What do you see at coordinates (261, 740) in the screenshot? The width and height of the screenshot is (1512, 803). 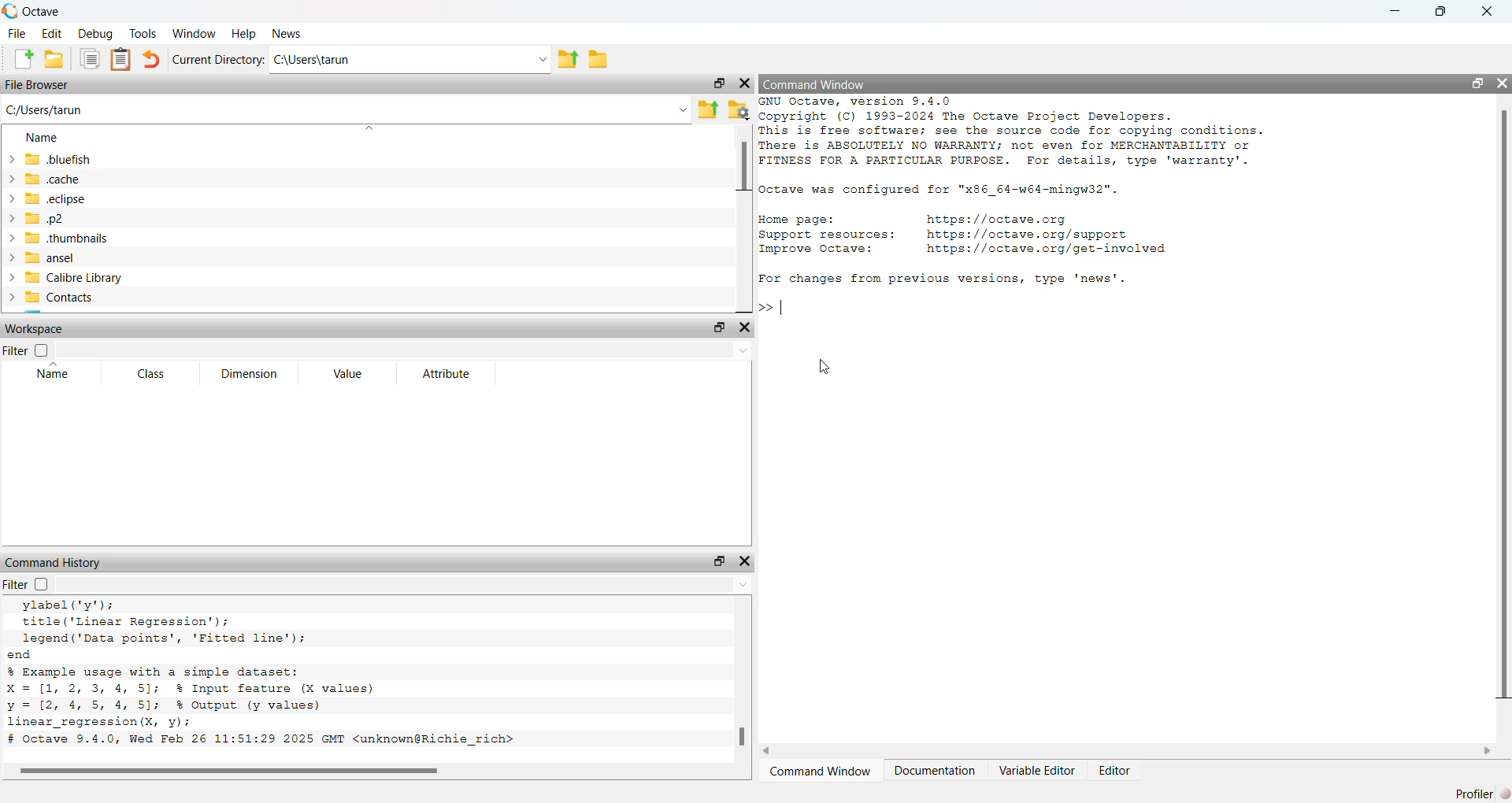 I see `octave version and date` at bounding box center [261, 740].